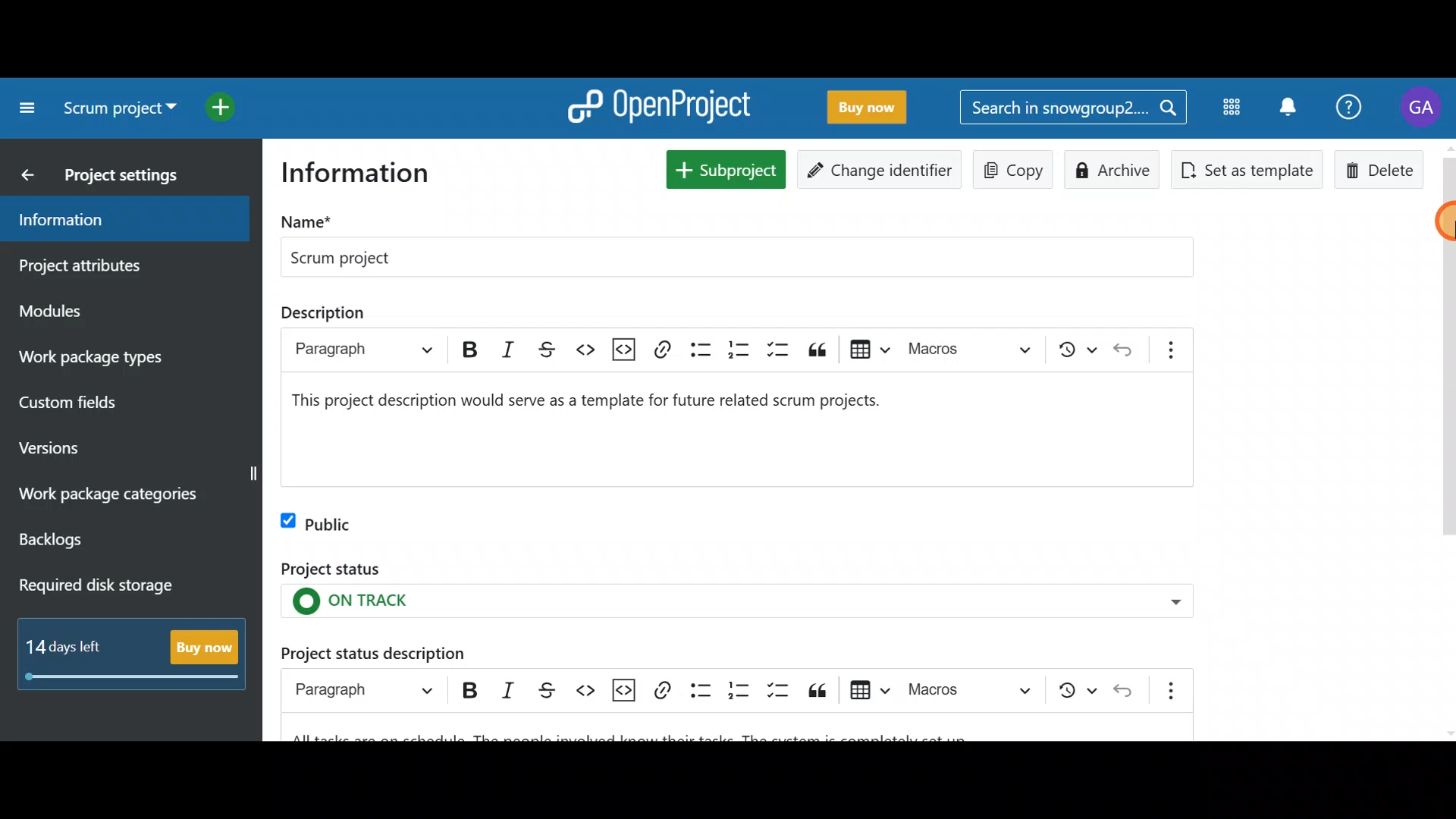 Image resolution: width=1456 pixels, height=819 pixels. I want to click on Strikethrough, so click(551, 689).